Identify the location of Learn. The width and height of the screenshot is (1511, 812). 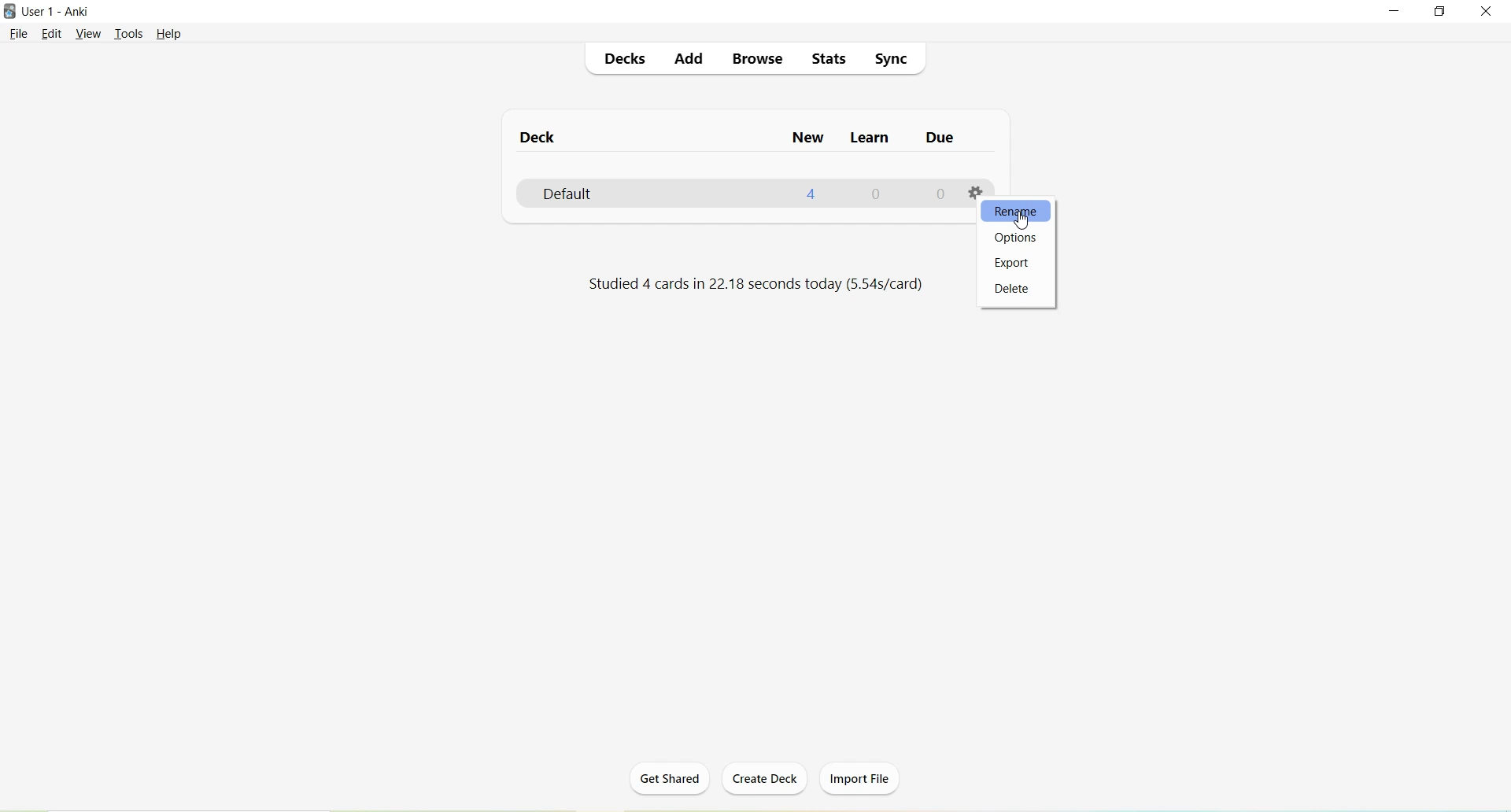
(866, 139).